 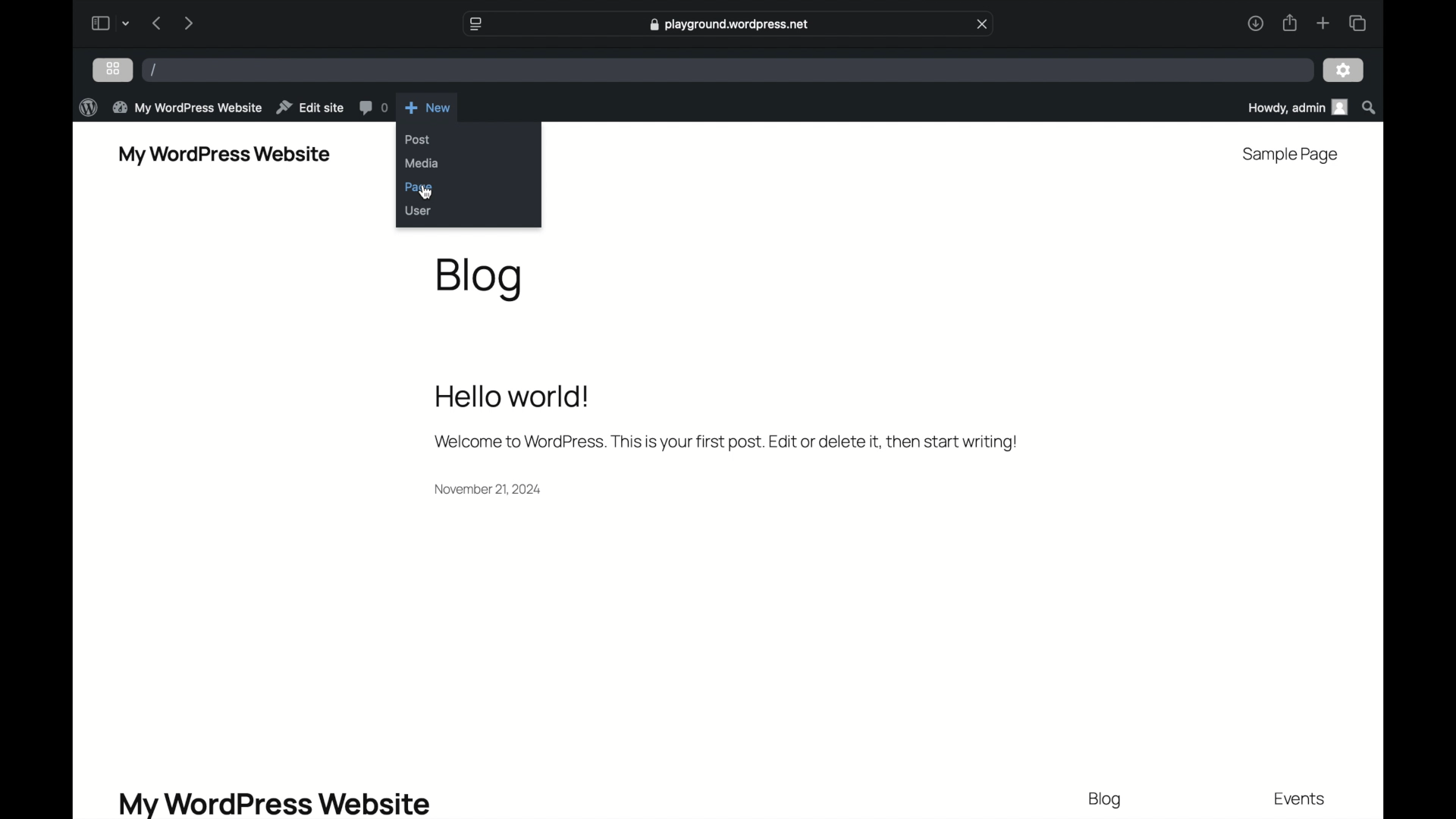 I want to click on sidebar, so click(x=99, y=23).